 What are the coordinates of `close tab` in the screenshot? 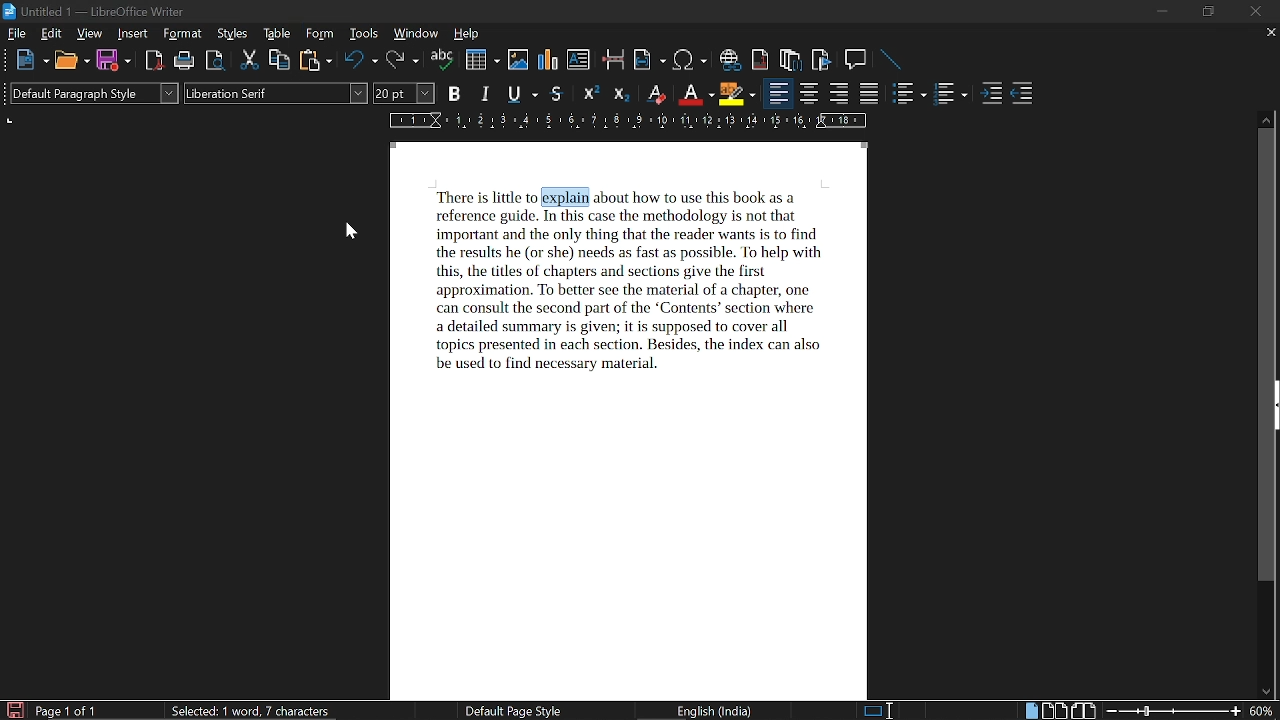 It's located at (1269, 34).